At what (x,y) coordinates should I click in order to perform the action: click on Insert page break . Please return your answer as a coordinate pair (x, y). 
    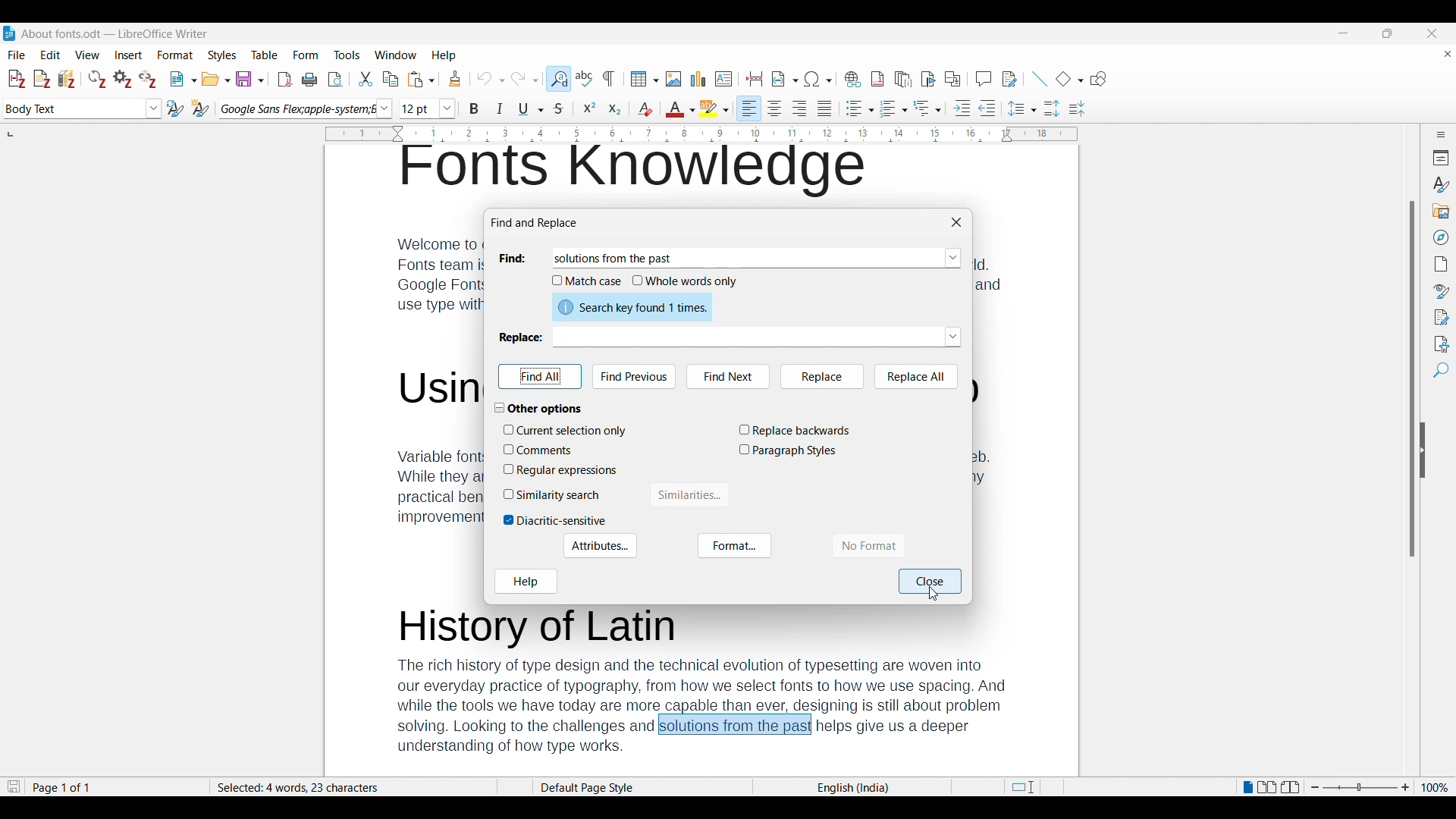
    Looking at the image, I should click on (755, 79).